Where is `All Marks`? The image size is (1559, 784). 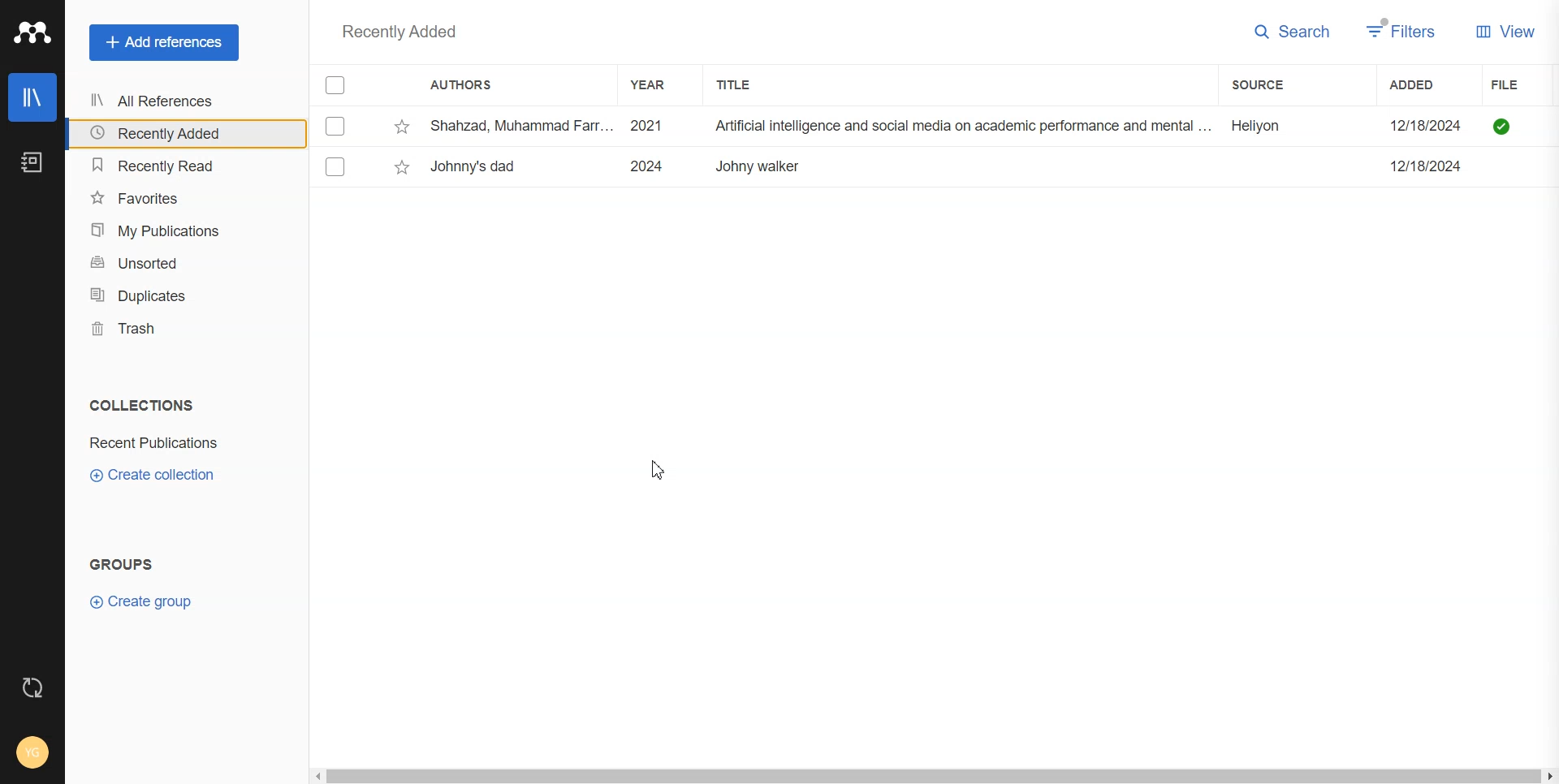 All Marks is located at coordinates (335, 84).